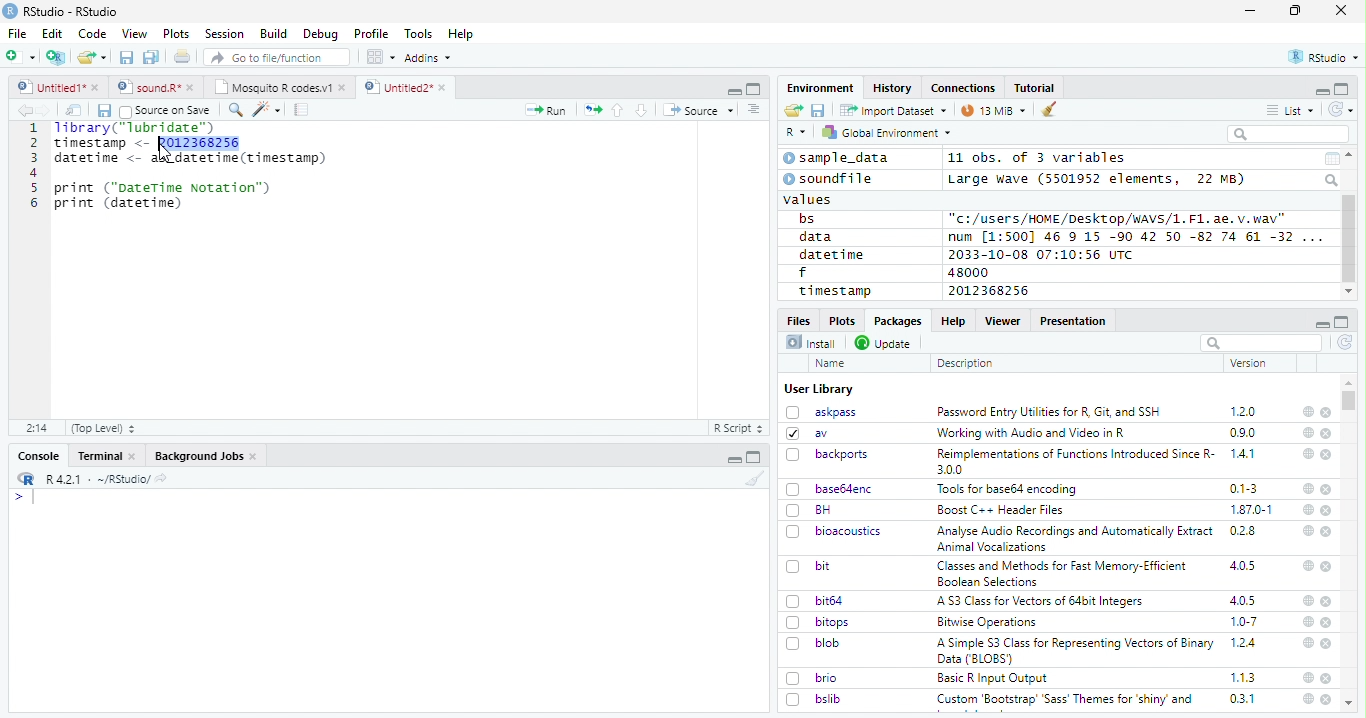 The width and height of the screenshot is (1366, 718). What do you see at coordinates (800, 319) in the screenshot?
I see `Files` at bounding box center [800, 319].